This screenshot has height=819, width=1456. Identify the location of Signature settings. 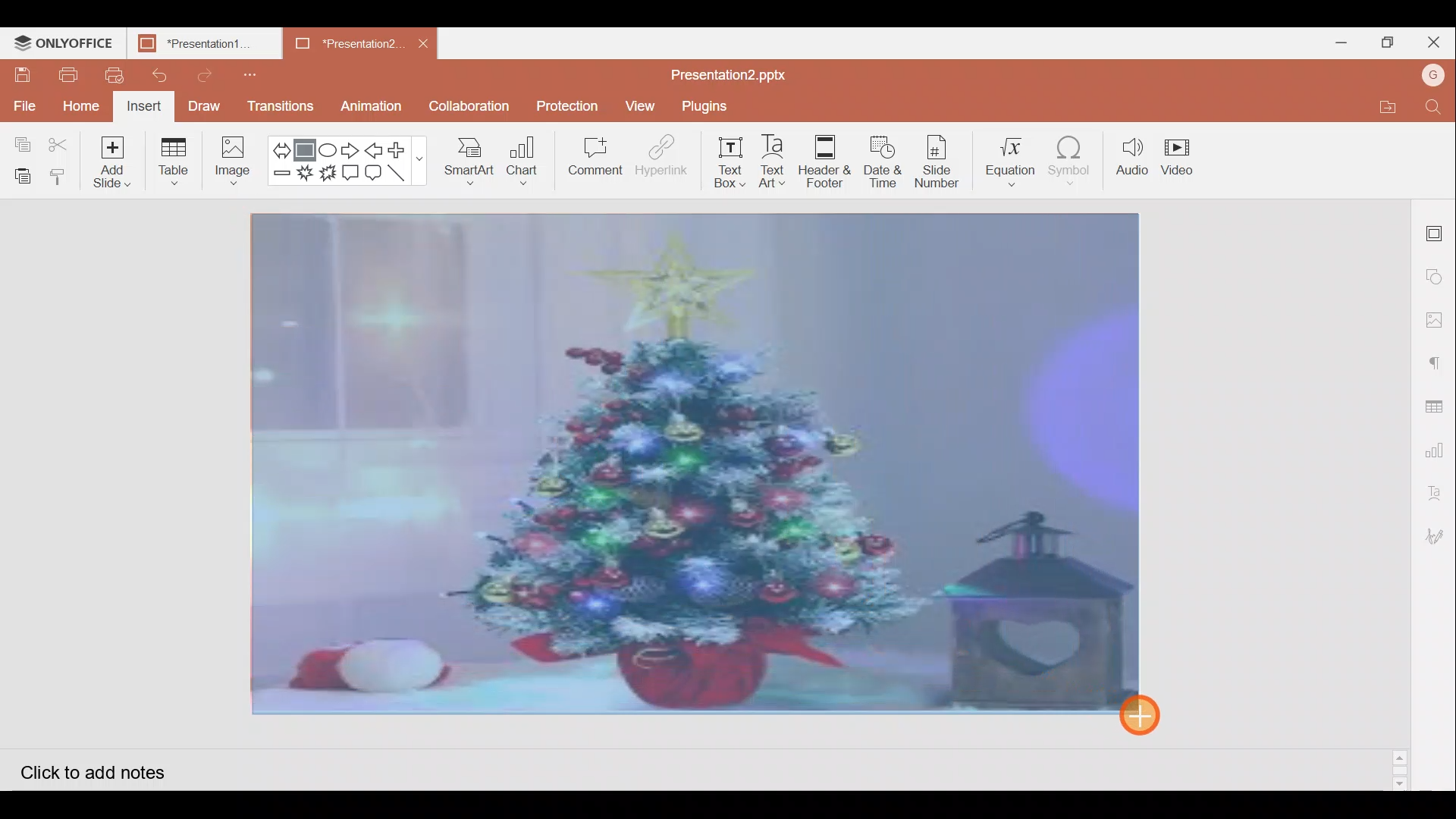
(1438, 534).